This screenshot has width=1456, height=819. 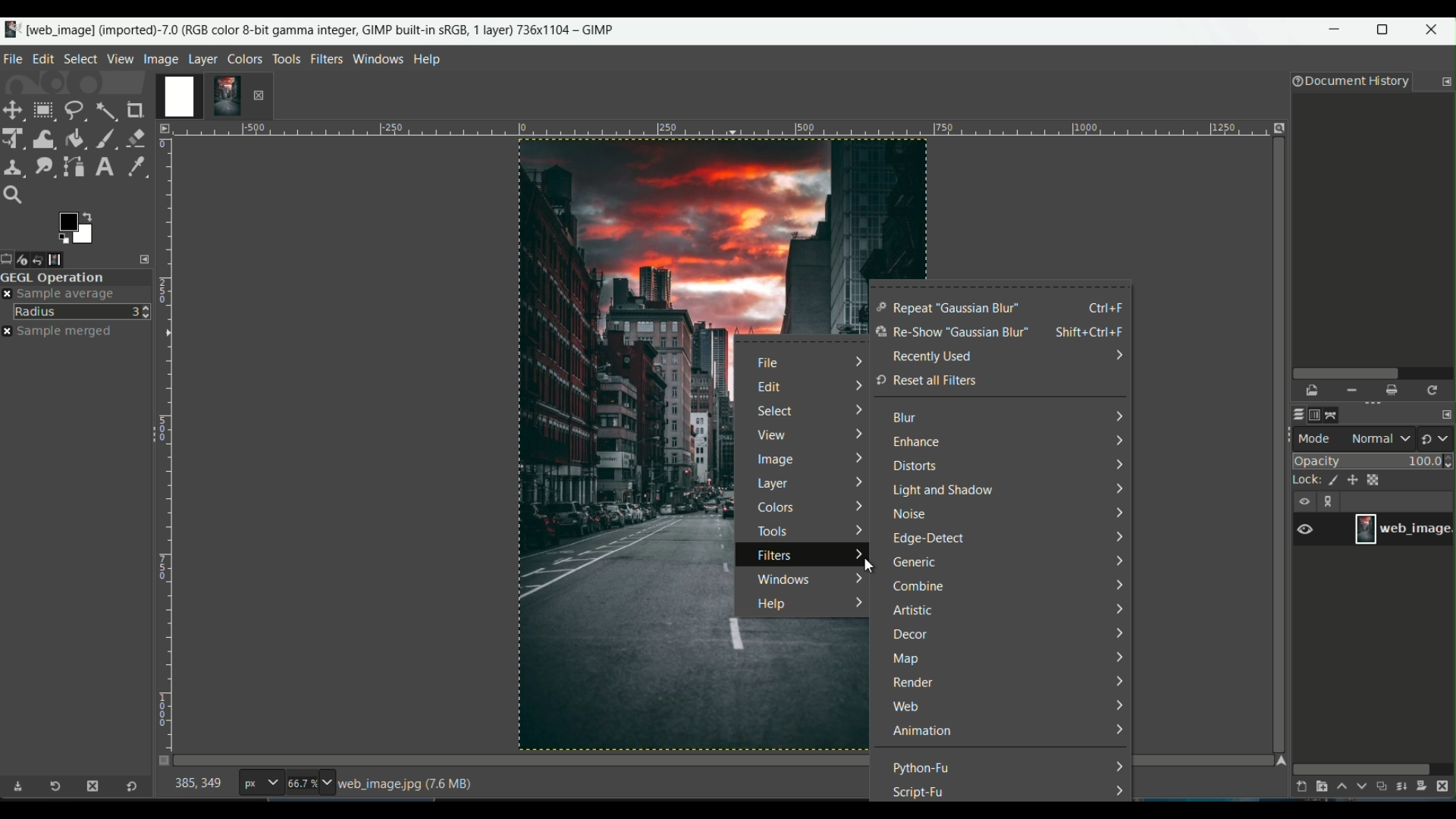 What do you see at coordinates (1313, 528) in the screenshot?
I see `layer attribute` at bounding box center [1313, 528].